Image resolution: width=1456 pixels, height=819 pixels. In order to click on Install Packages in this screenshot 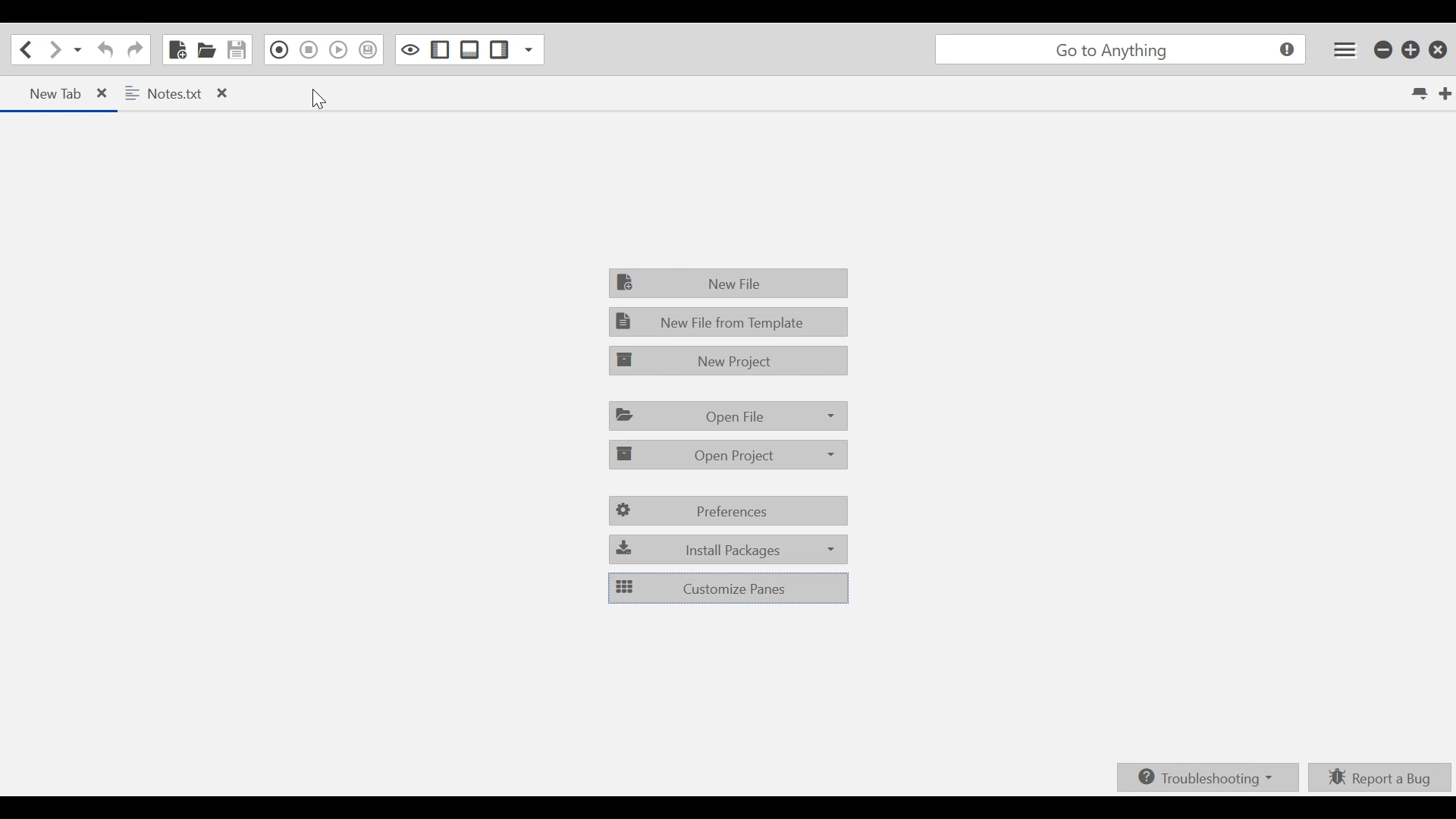, I will do `click(729, 551)`.